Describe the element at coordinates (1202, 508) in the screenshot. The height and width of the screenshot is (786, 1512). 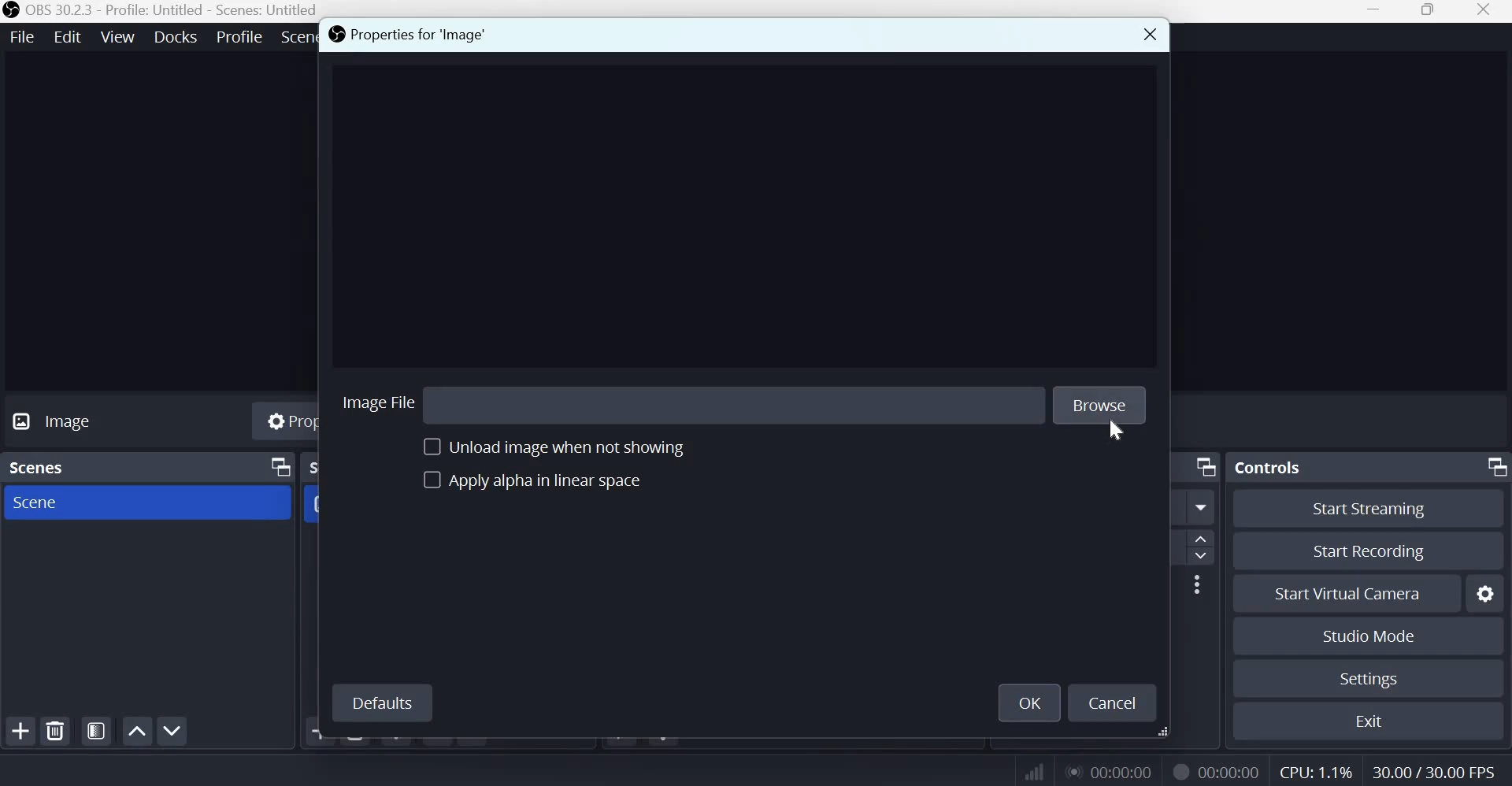
I see `More options` at that location.